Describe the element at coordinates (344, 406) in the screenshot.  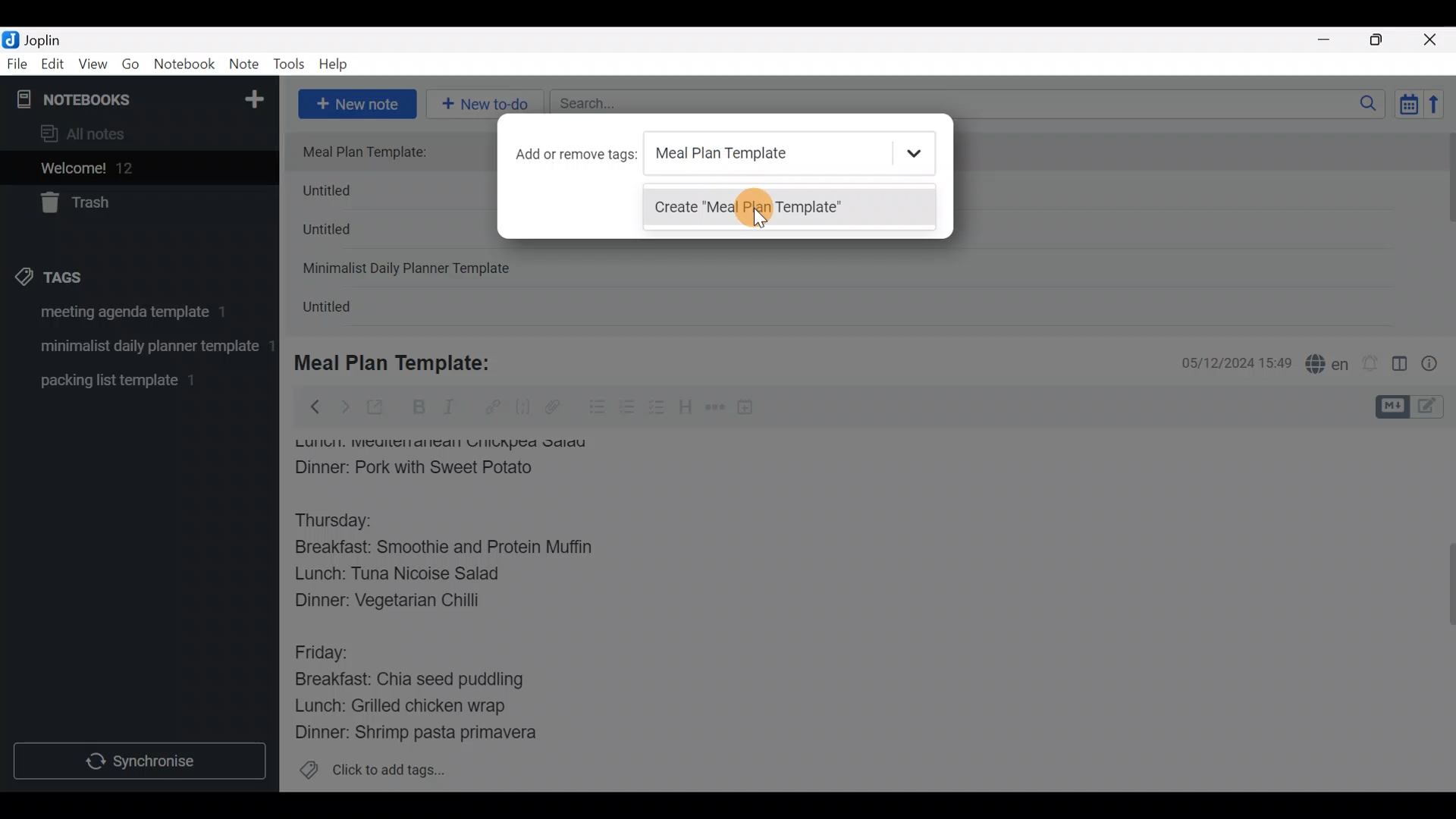
I see `Forward` at that location.